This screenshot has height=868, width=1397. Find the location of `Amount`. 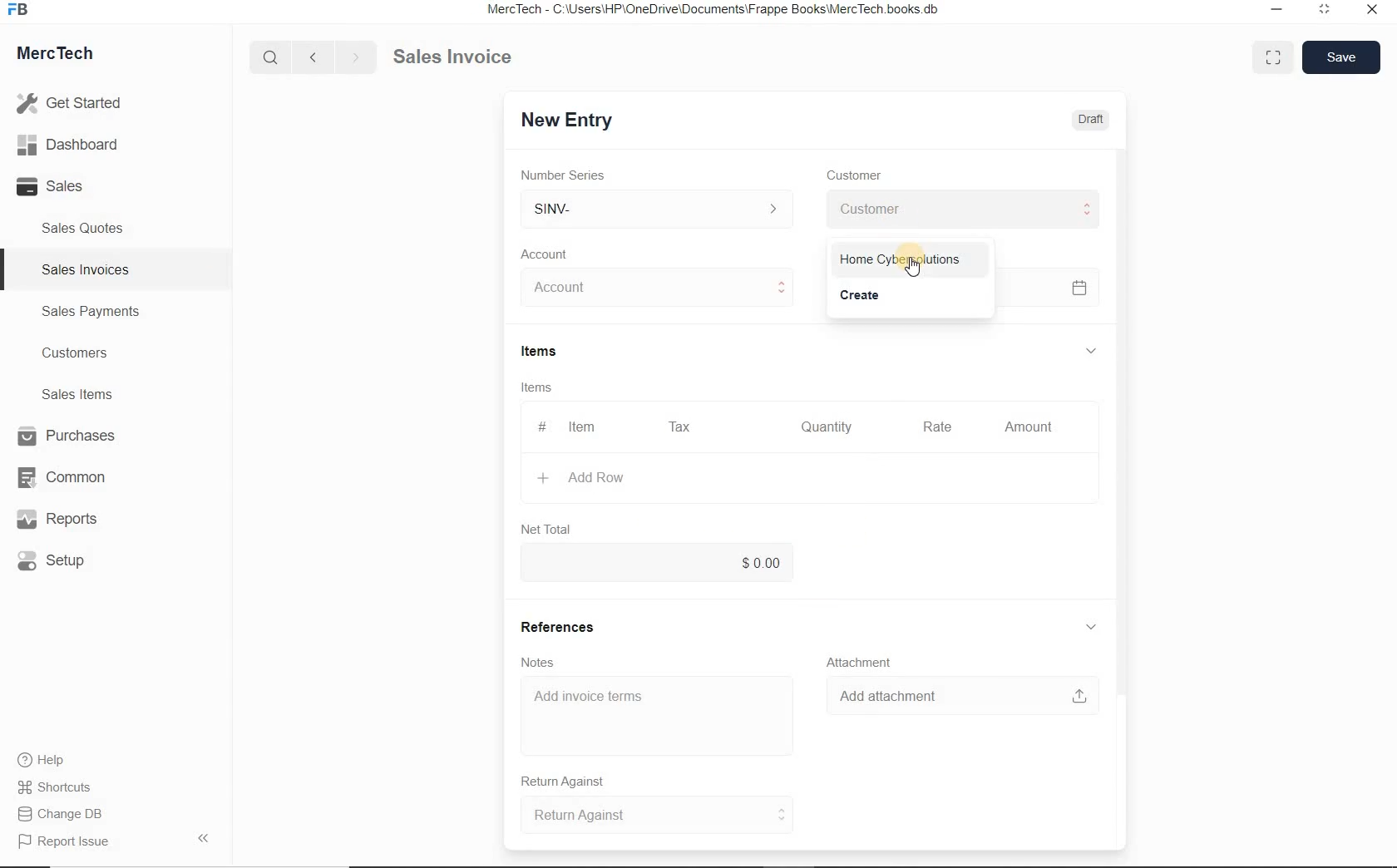

Amount is located at coordinates (1028, 428).